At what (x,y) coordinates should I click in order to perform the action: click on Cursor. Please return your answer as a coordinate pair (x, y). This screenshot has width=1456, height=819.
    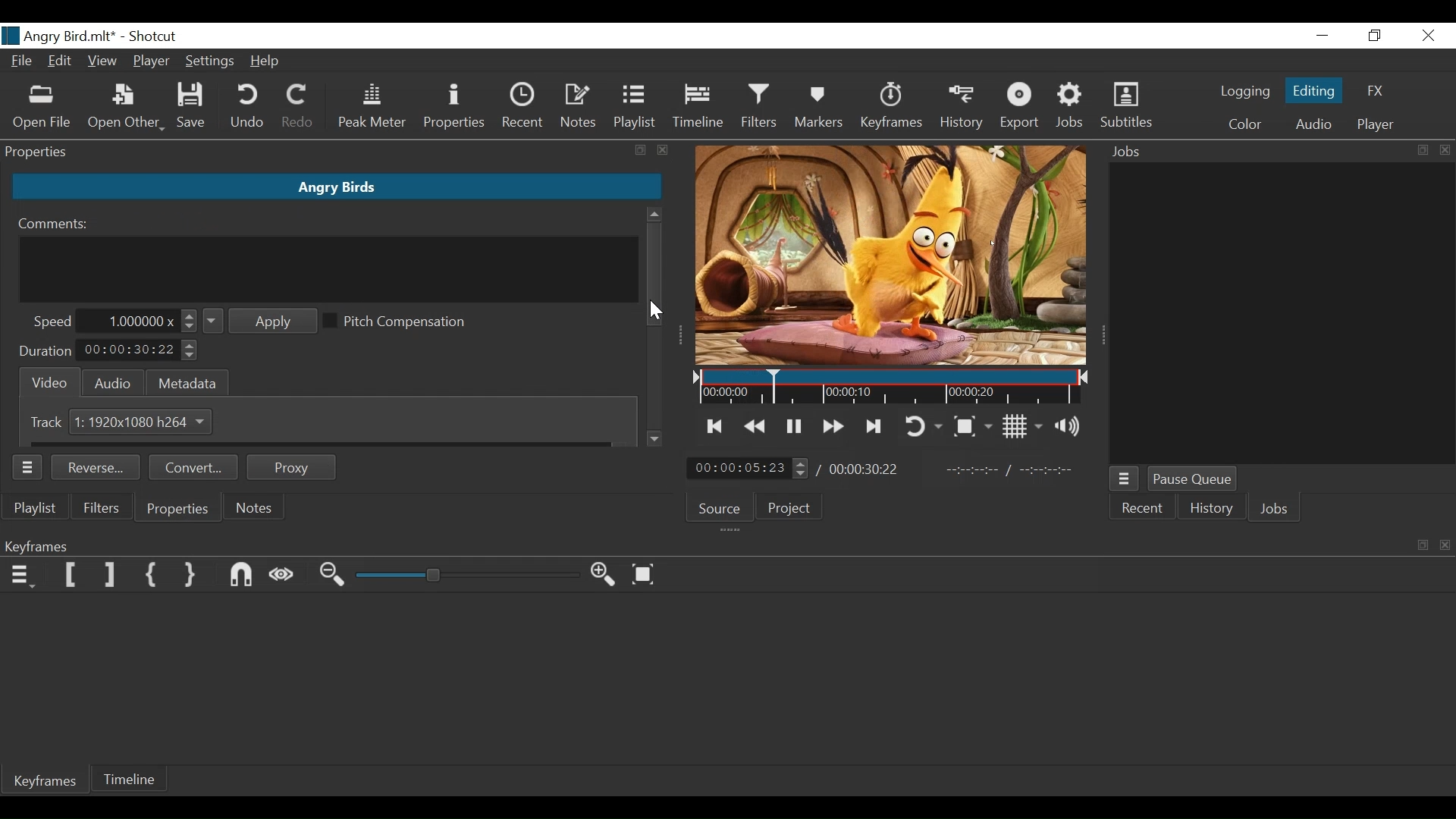
    Looking at the image, I should click on (657, 309).